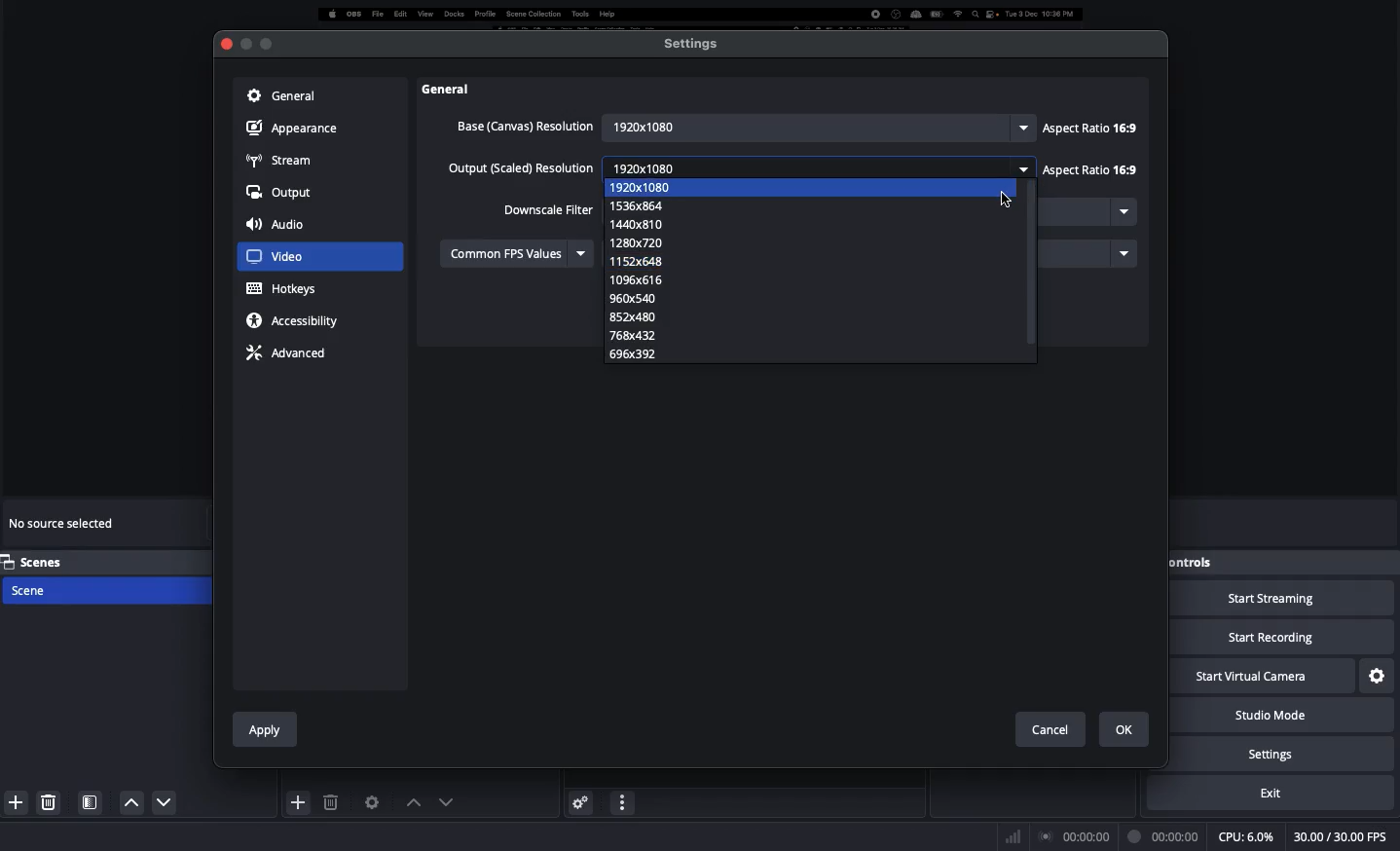 The height and width of the screenshot is (851, 1400). Describe the element at coordinates (636, 353) in the screenshot. I see `696x392` at that location.